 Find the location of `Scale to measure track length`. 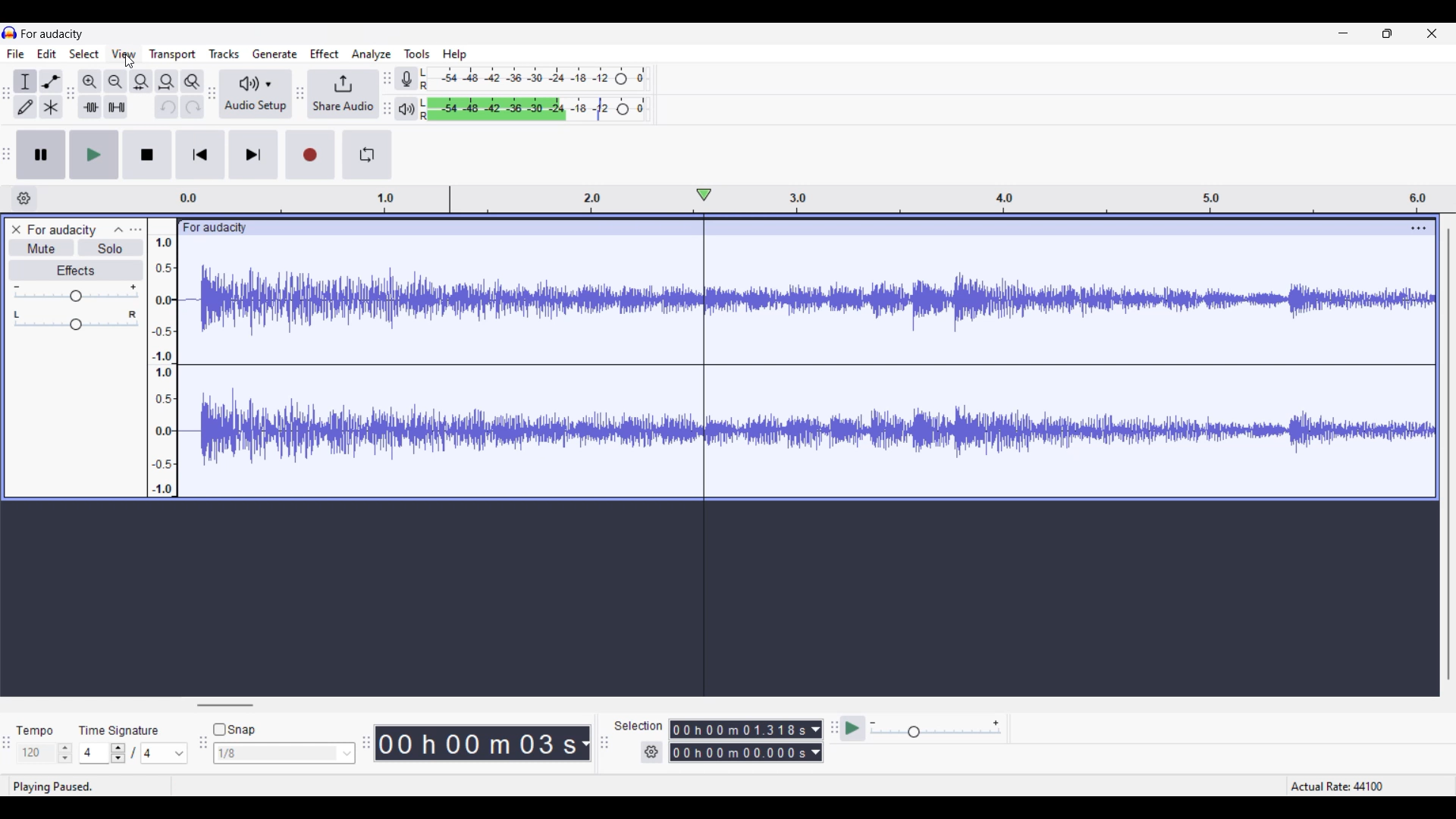

Scale to measure track length is located at coordinates (814, 199).